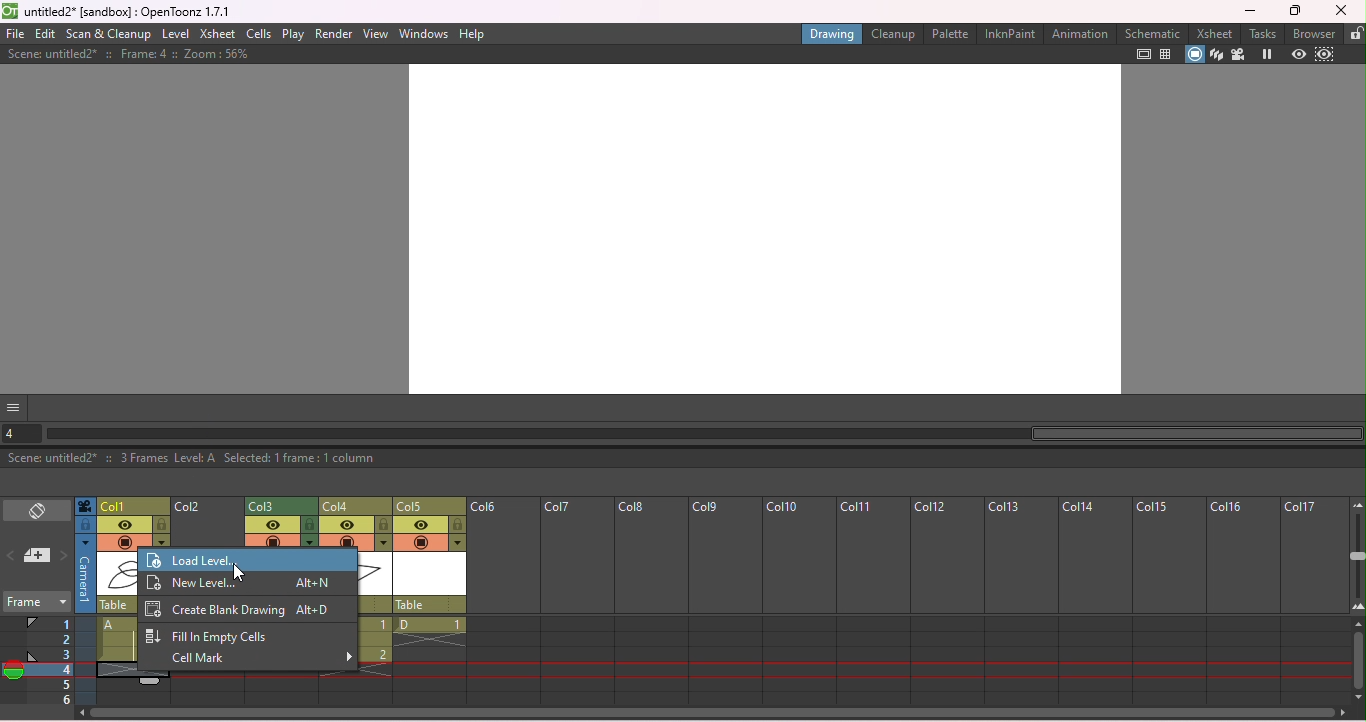  What do you see at coordinates (576, 601) in the screenshot?
I see `column 7` at bounding box center [576, 601].